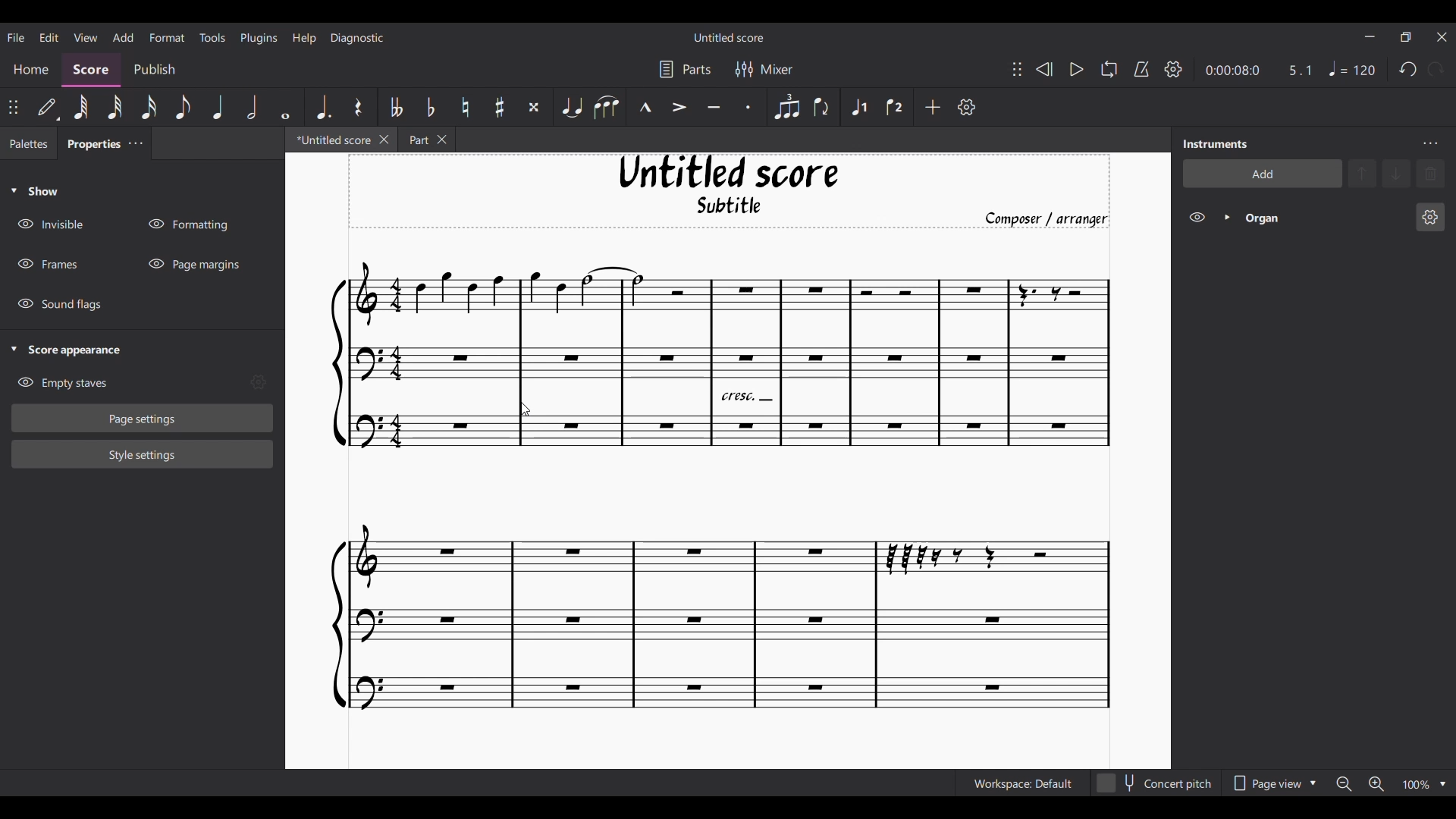 The height and width of the screenshot is (819, 1456). Describe the element at coordinates (194, 264) in the screenshot. I see `Hide Page margins` at that location.